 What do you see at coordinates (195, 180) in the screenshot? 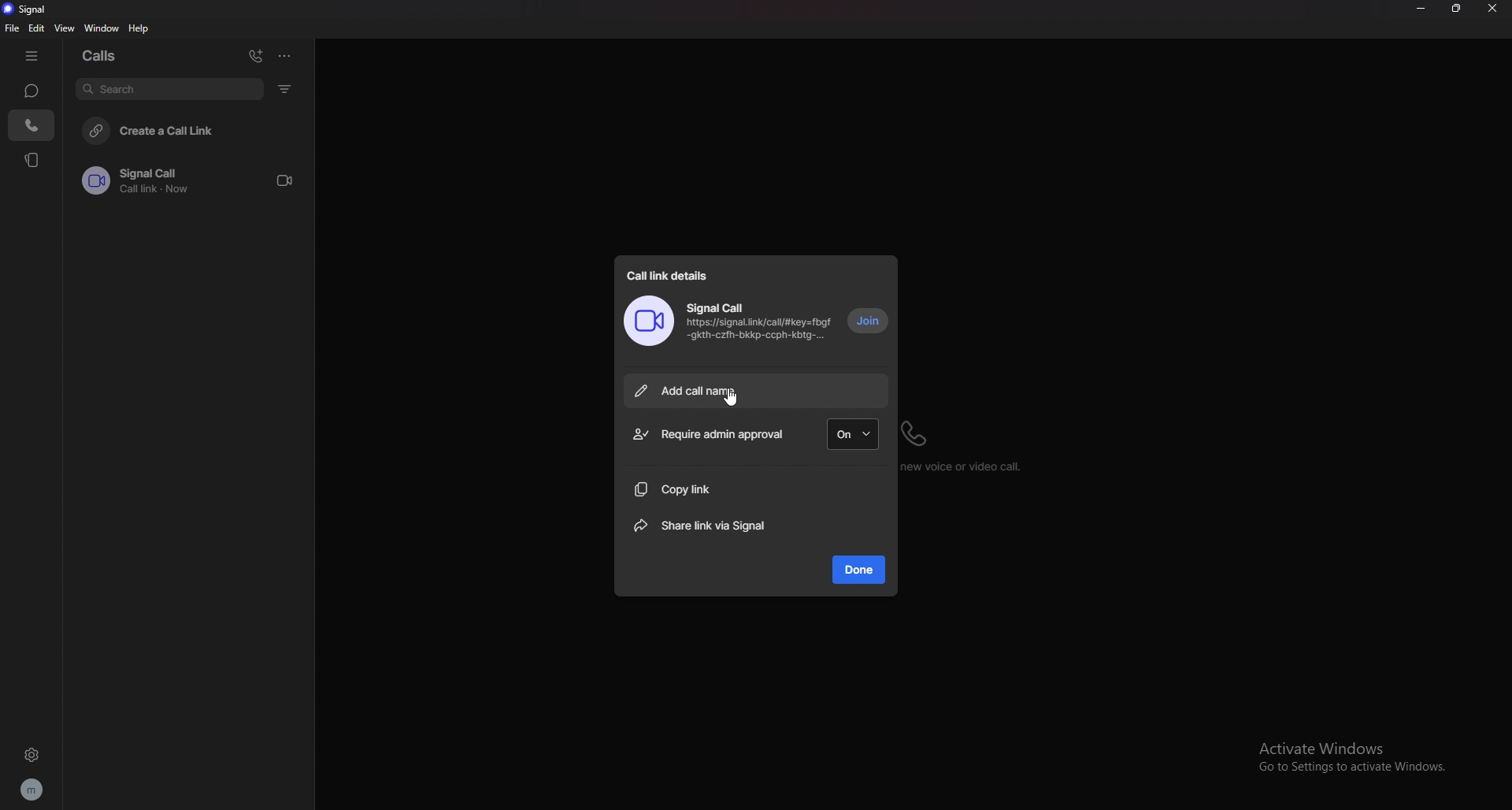
I see `call link` at bounding box center [195, 180].